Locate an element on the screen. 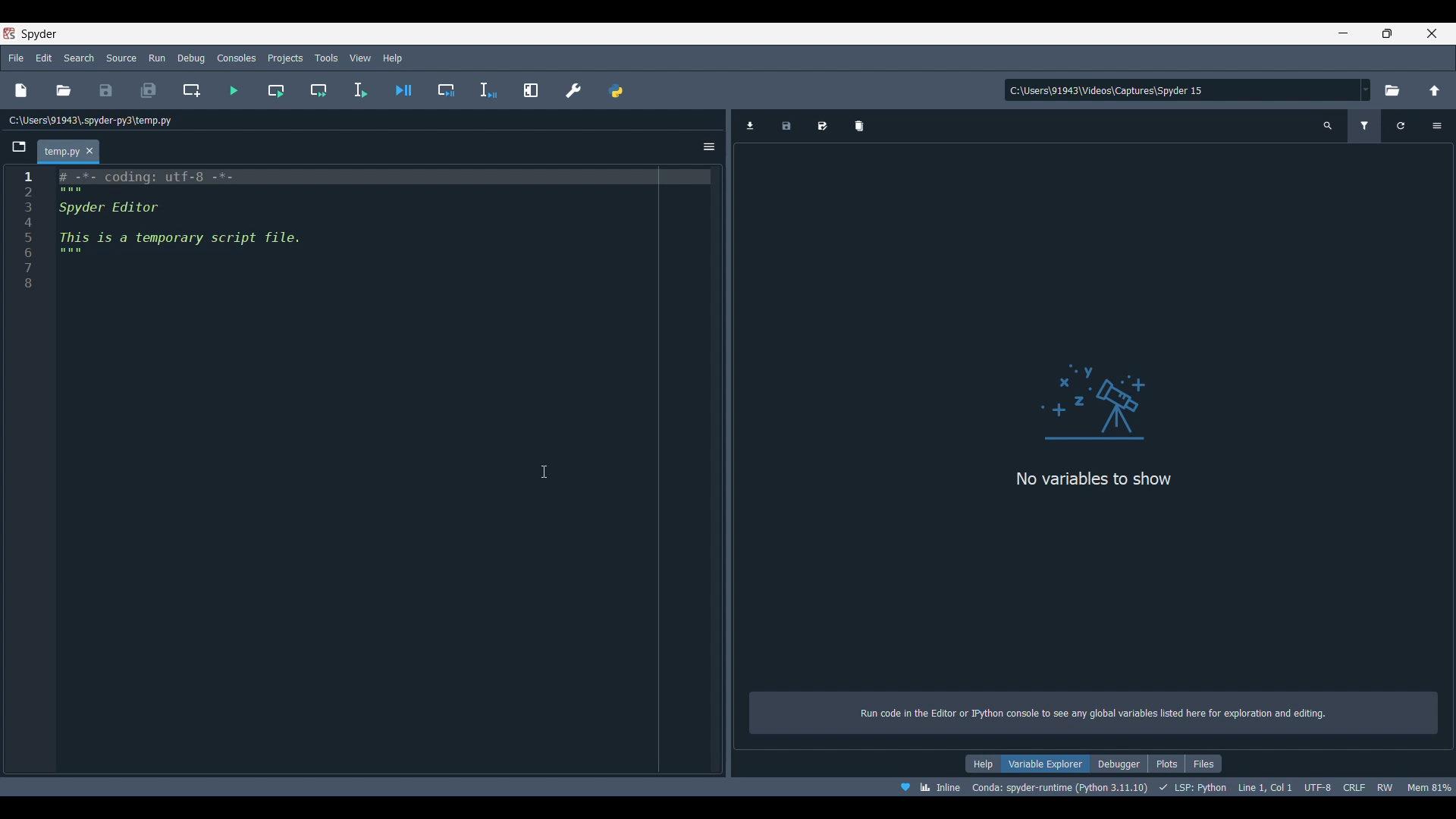  Browse a working directory, highlighted by cursor is located at coordinates (1393, 89).